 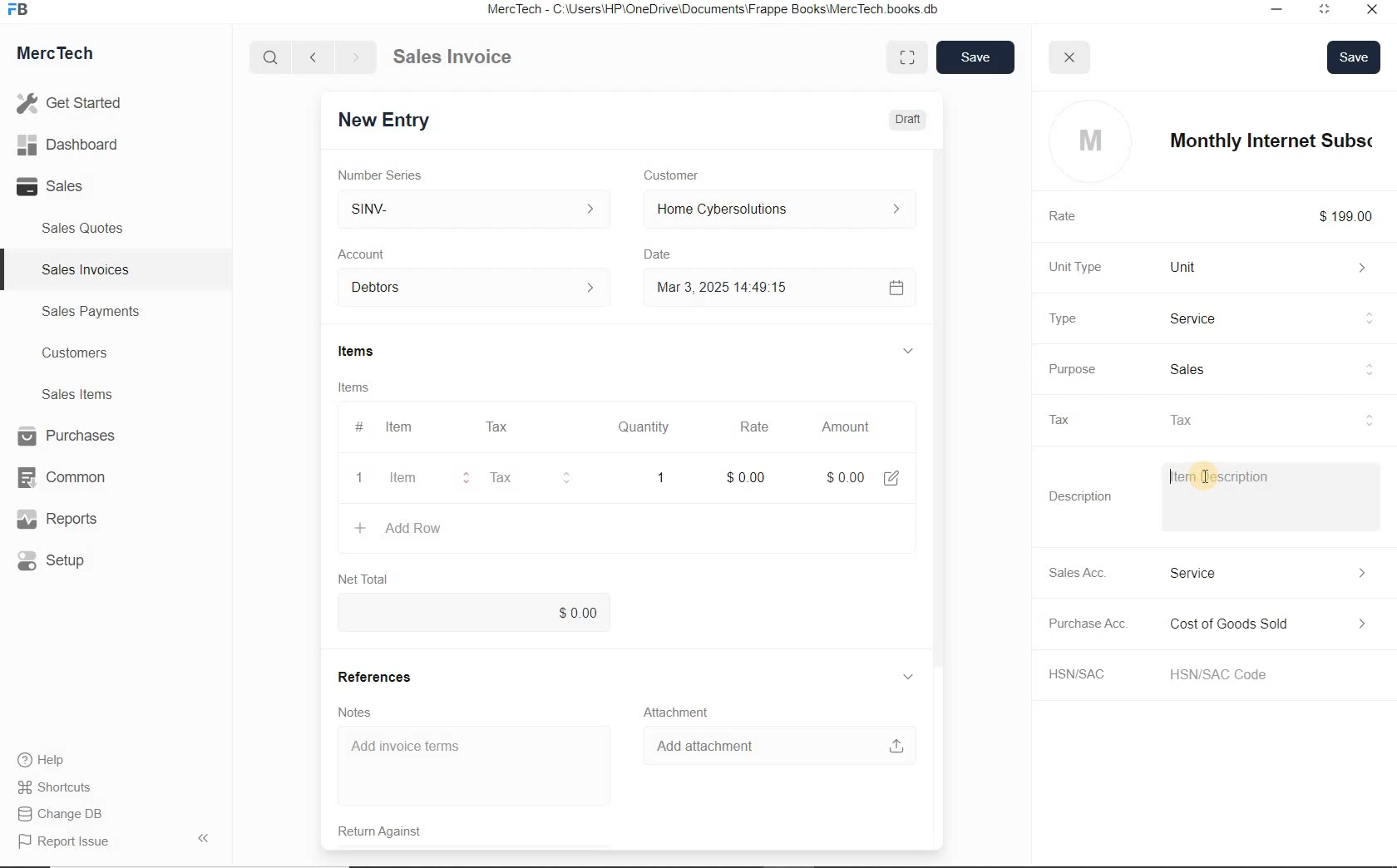 I want to click on HSN/SAC, so click(x=1078, y=674).